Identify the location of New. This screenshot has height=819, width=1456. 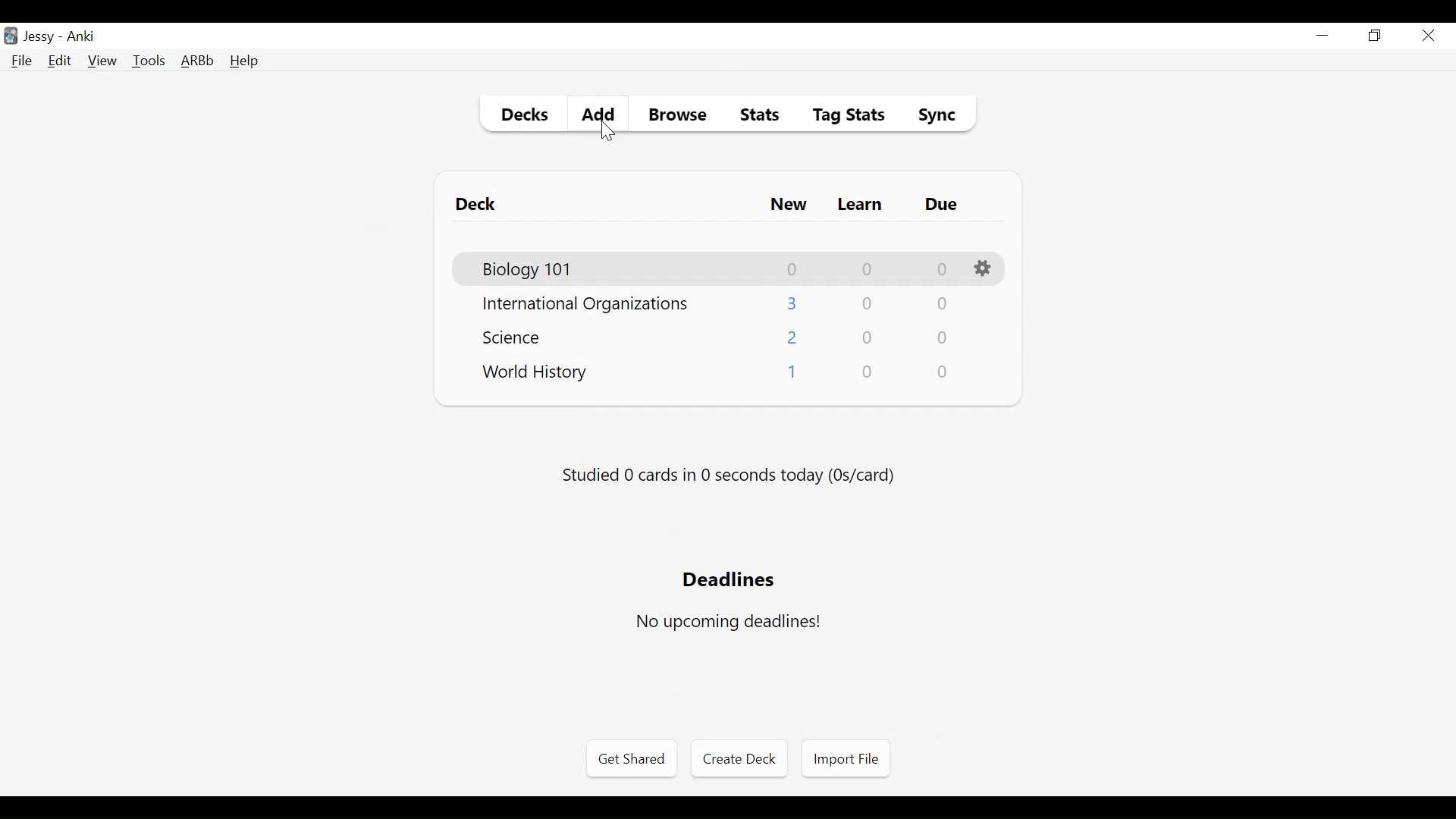
(789, 206).